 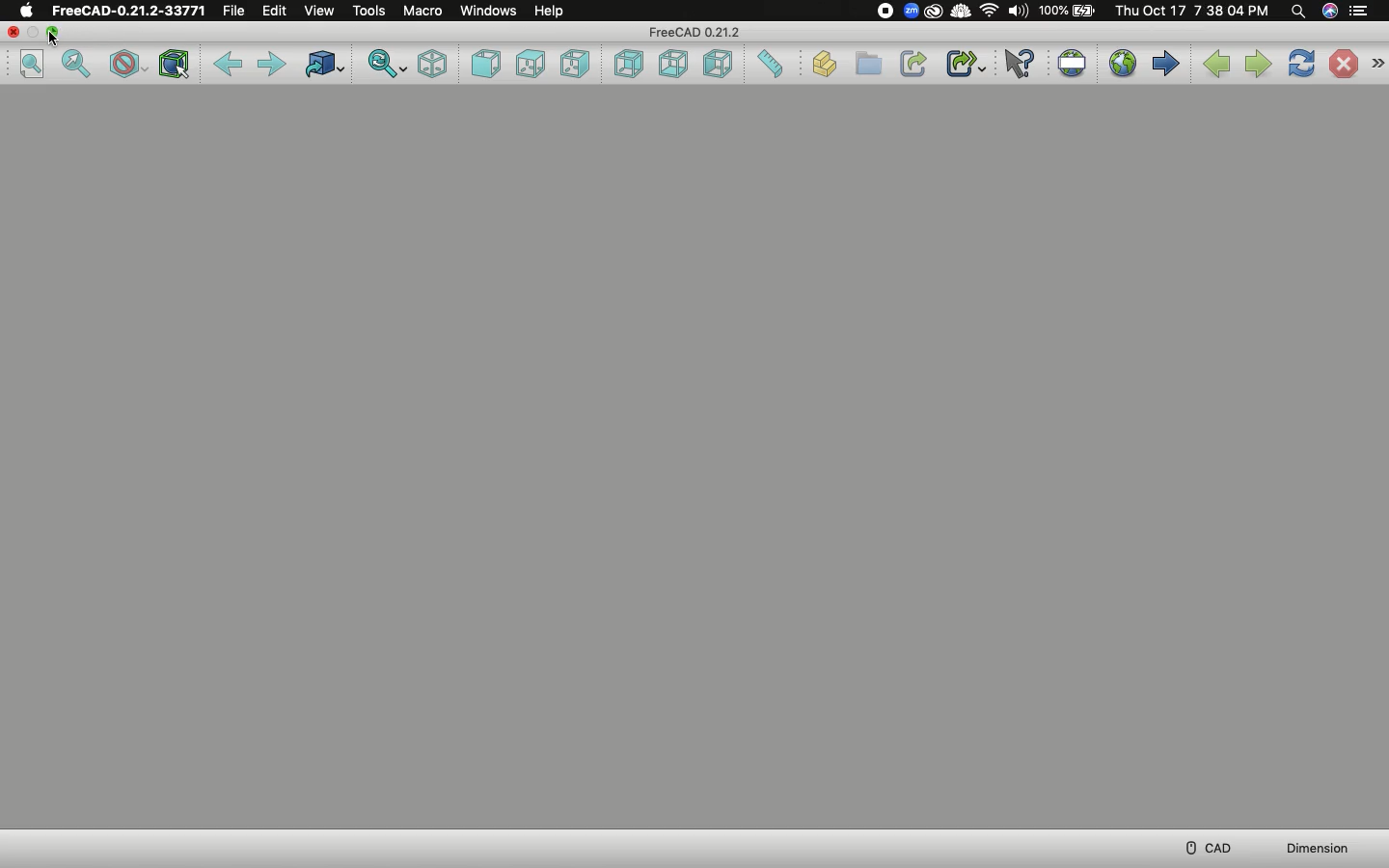 I want to click on What's this?, so click(x=1019, y=64).